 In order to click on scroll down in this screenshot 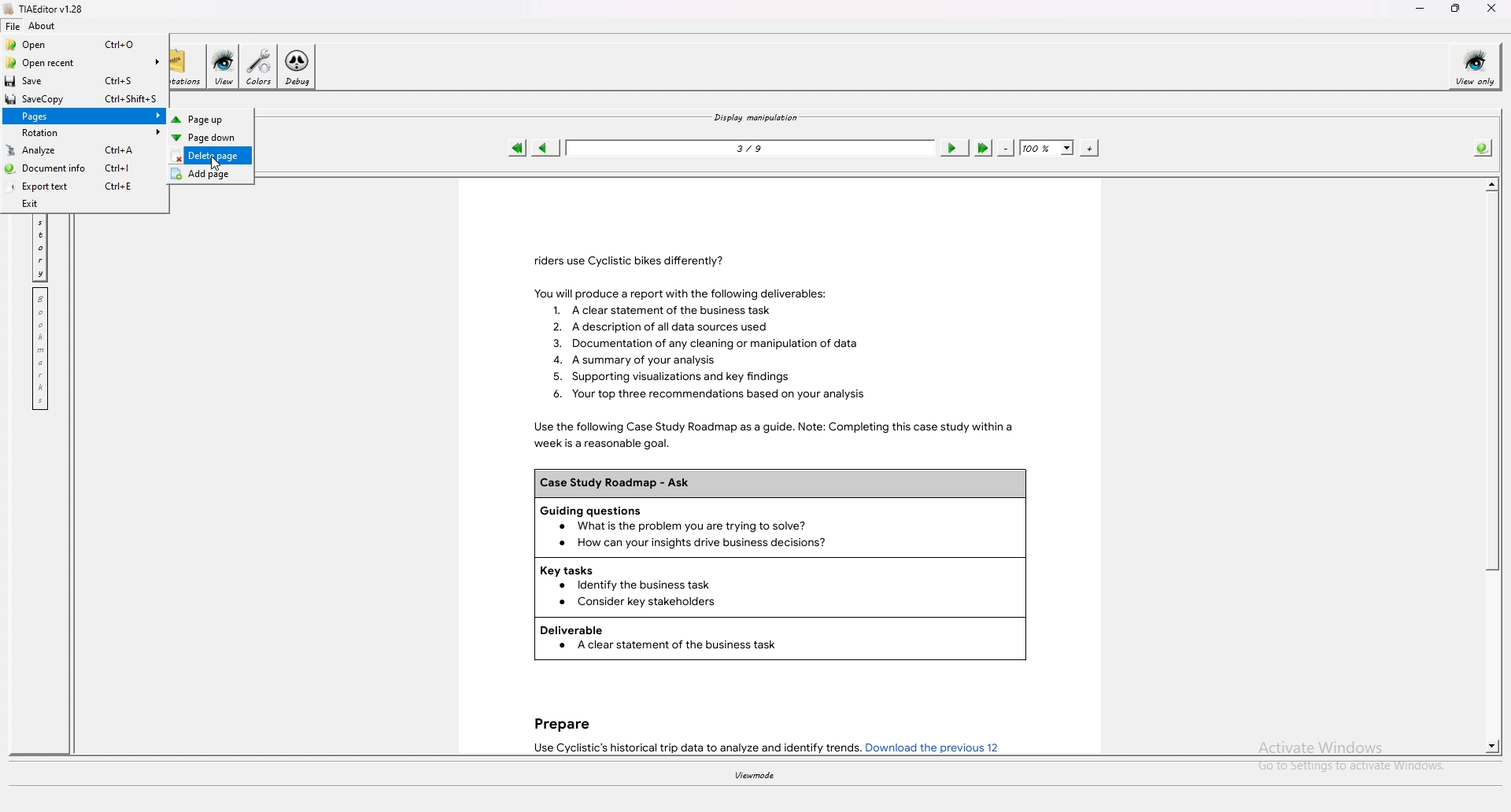, I will do `click(1493, 745)`.